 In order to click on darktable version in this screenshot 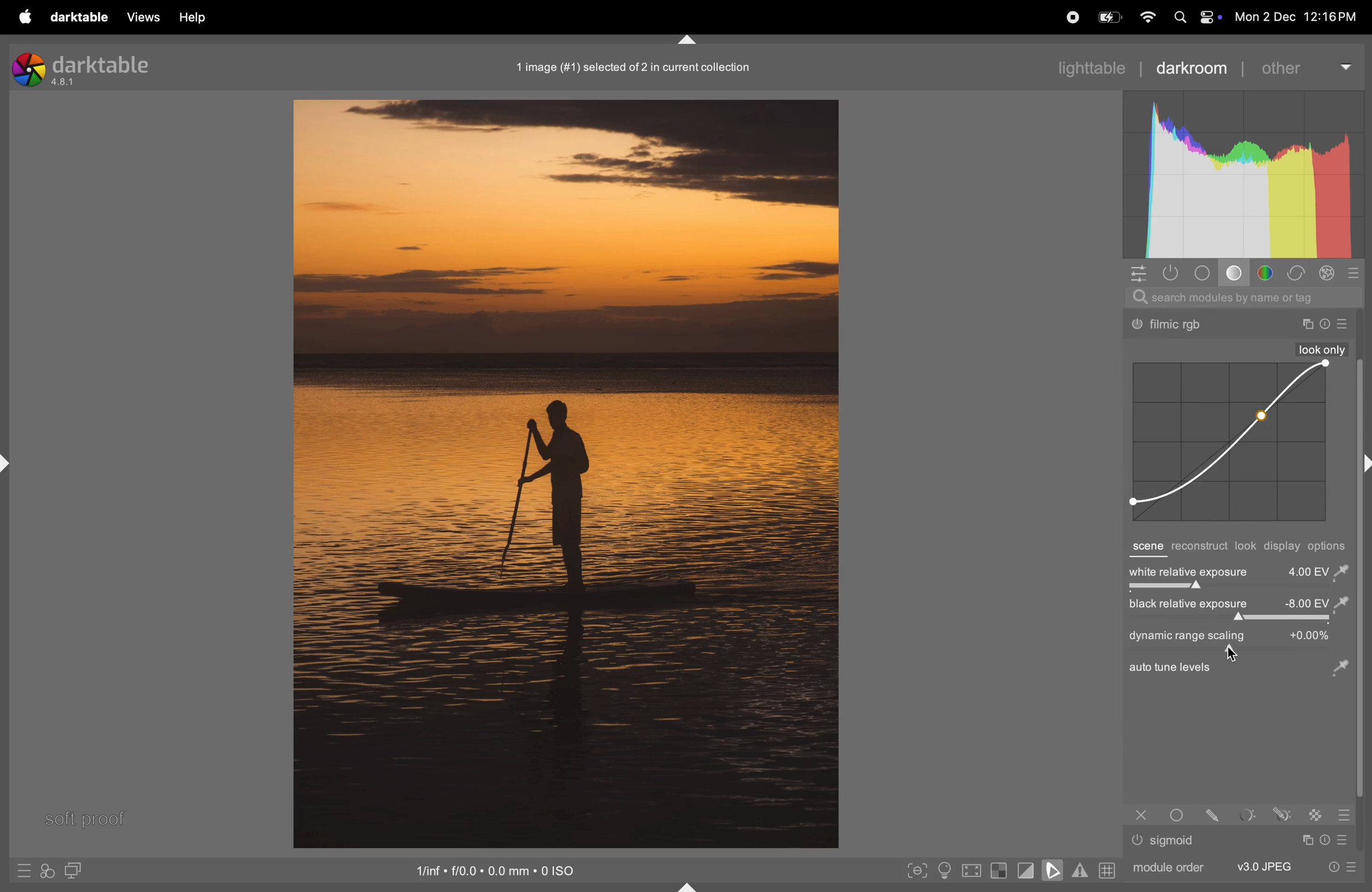, I will do `click(95, 66)`.